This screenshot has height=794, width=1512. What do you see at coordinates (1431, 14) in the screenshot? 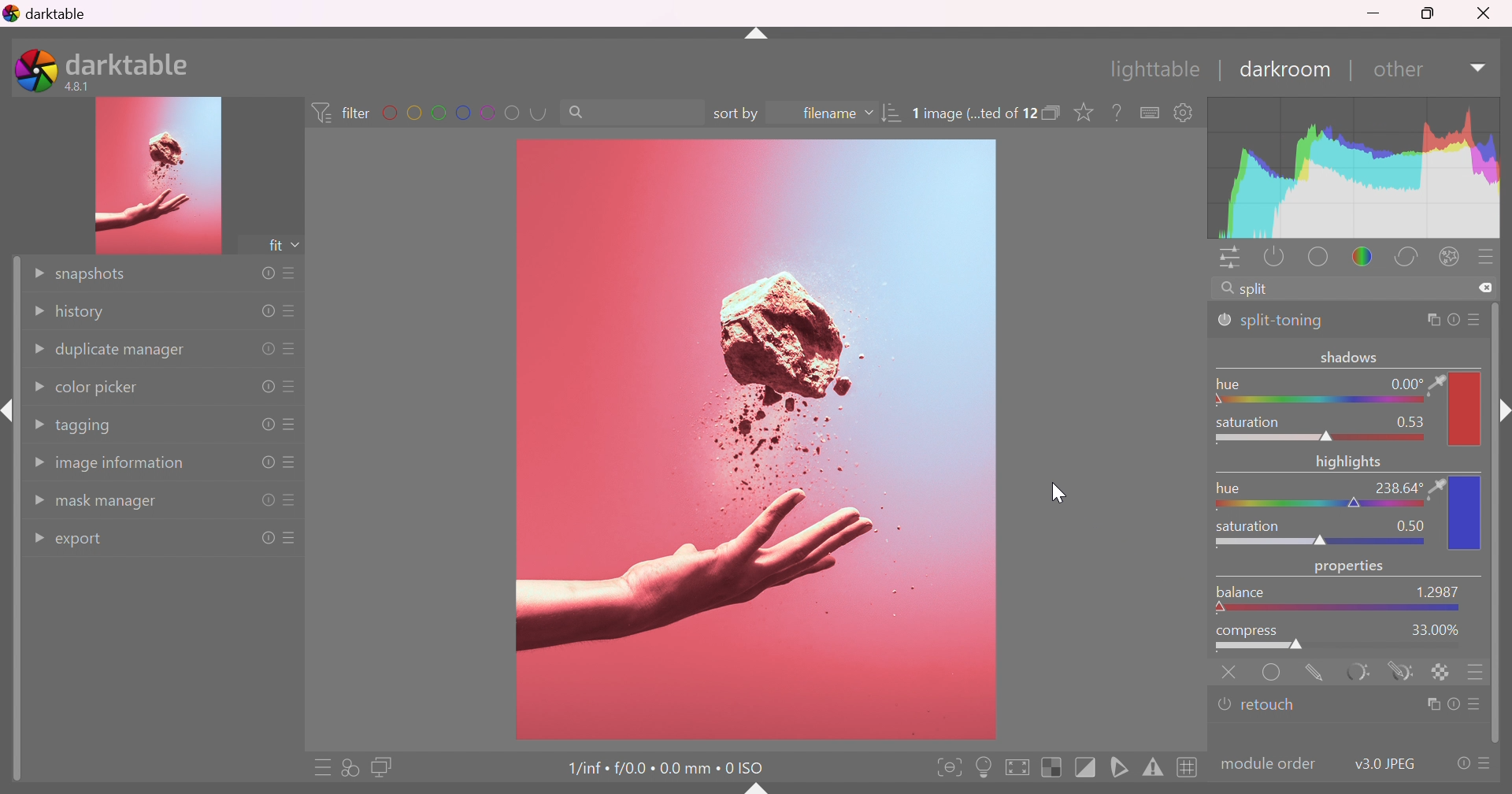
I see `Restore Down` at bounding box center [1431, 14].